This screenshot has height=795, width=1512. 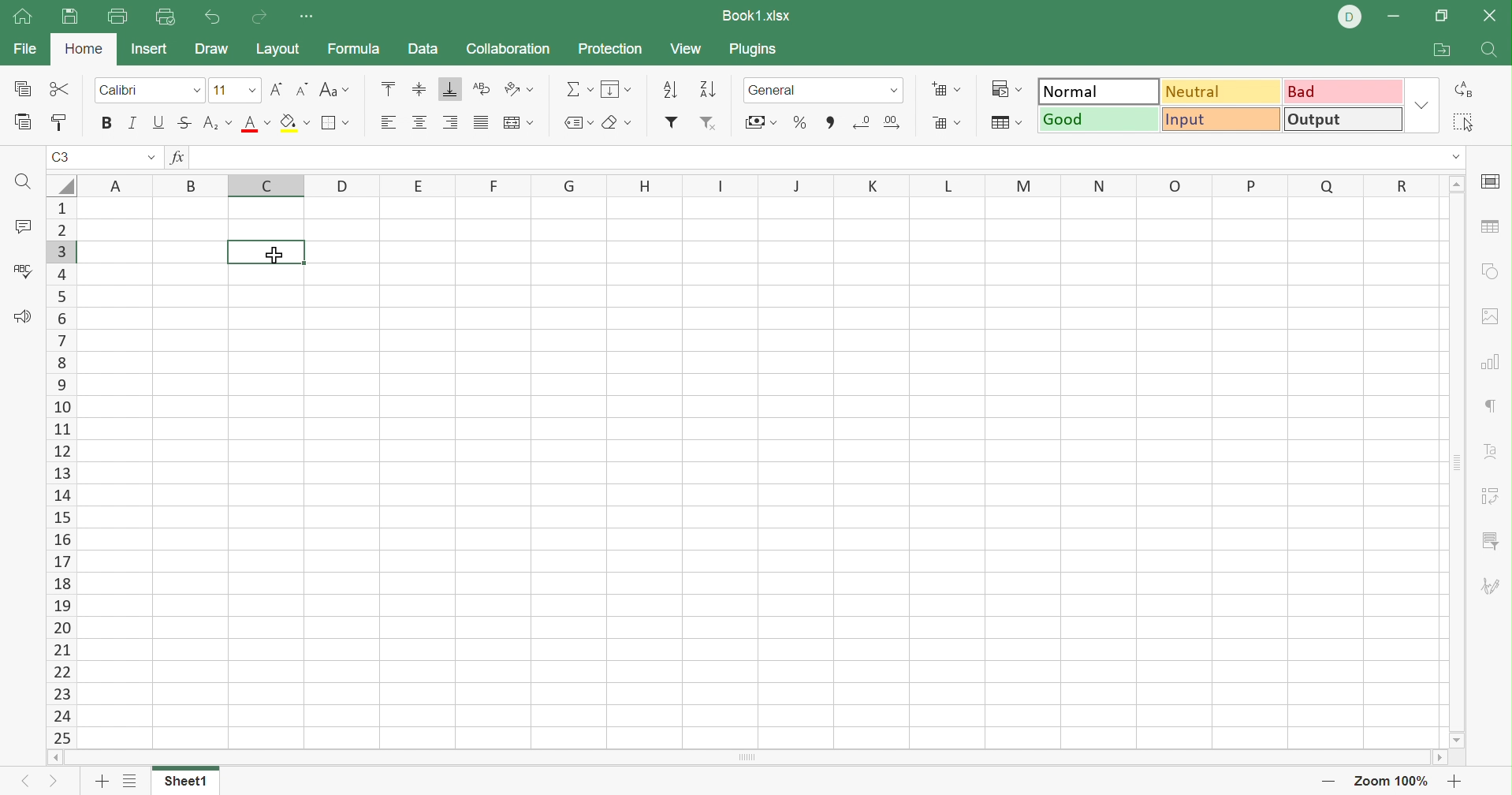 I want to click on Format table as template, so click(x=1004, y=125).